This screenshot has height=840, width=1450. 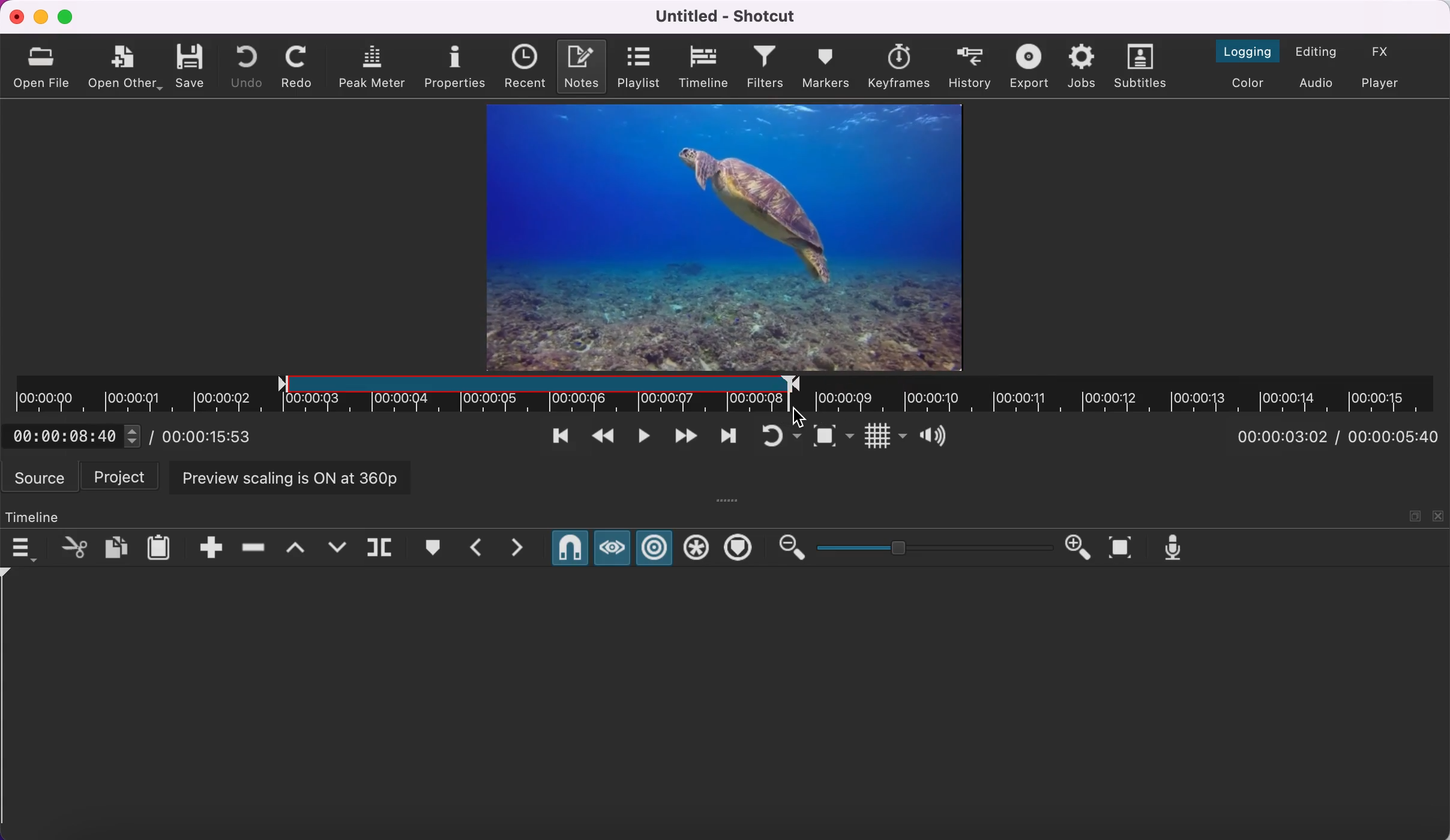 What do you see at coordinates (372, 66) in the screenshot?
I see `peak meter` at bounding box center [372, 66].